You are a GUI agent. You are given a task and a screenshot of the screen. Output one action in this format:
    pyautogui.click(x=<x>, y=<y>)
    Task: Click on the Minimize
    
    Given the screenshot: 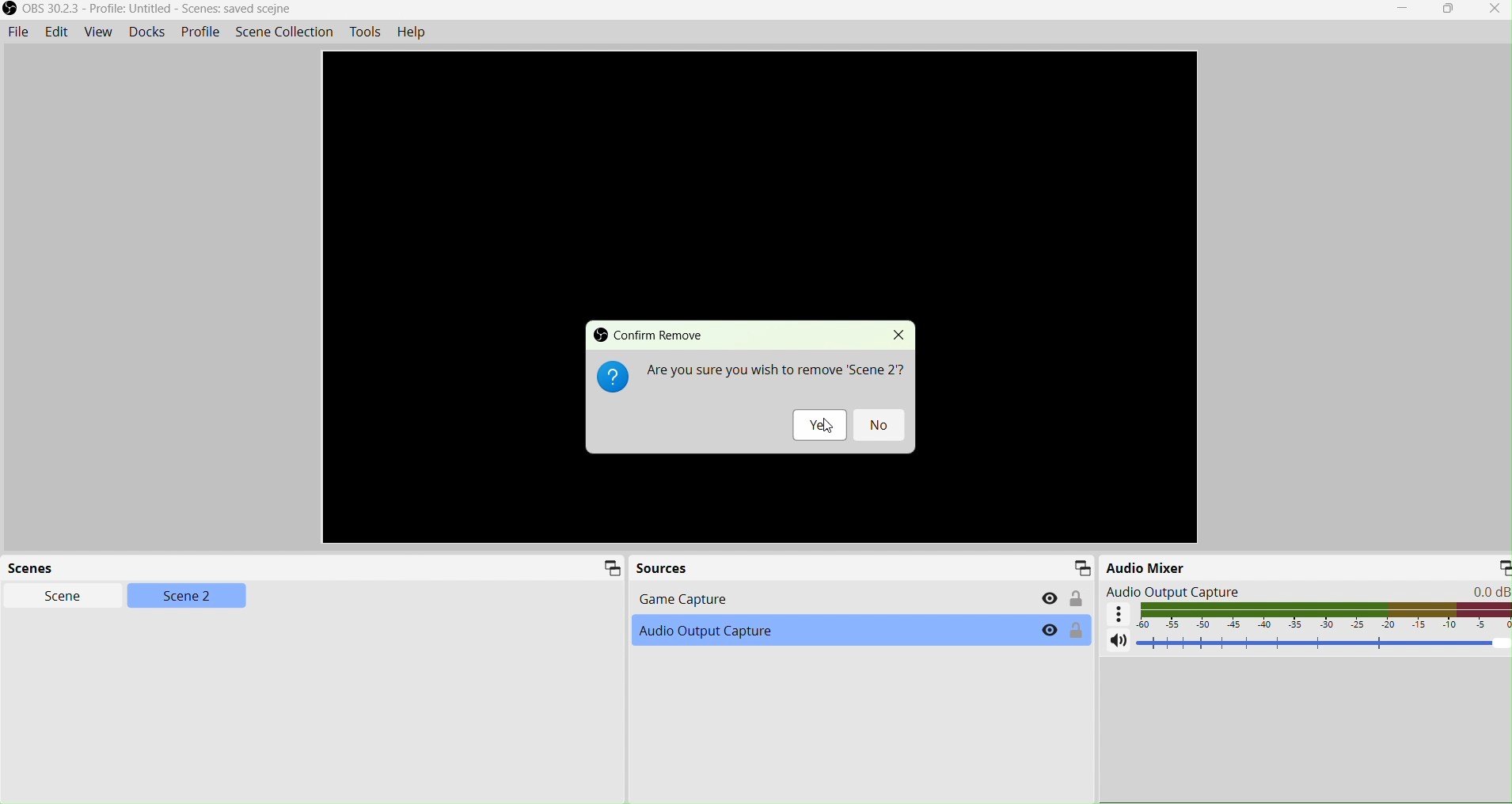 What is the action you would take?
    pyautogui.click(x=1084, y=566)
    